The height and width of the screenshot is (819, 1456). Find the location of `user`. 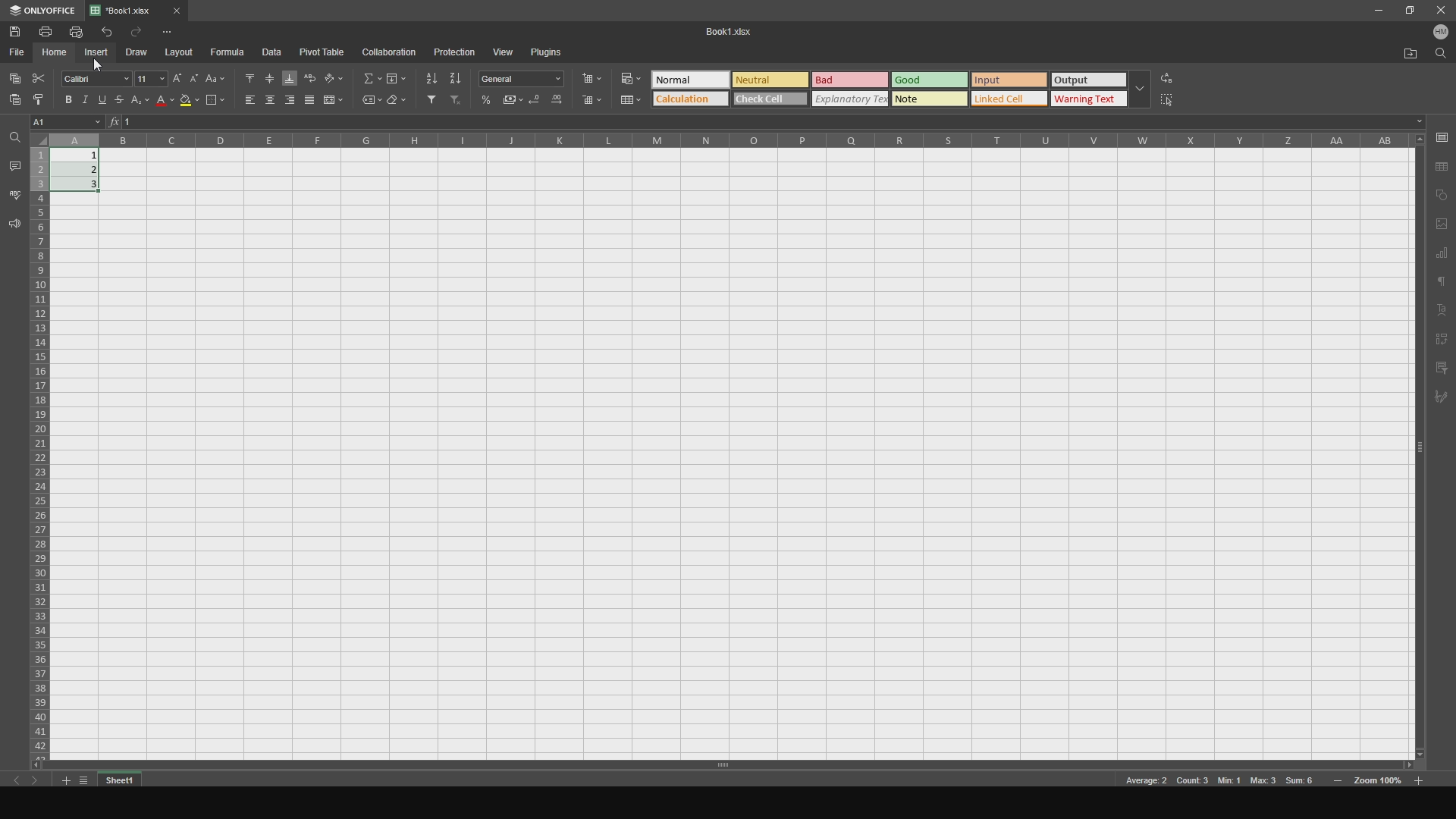

user is located at coordinates (1442, 35).